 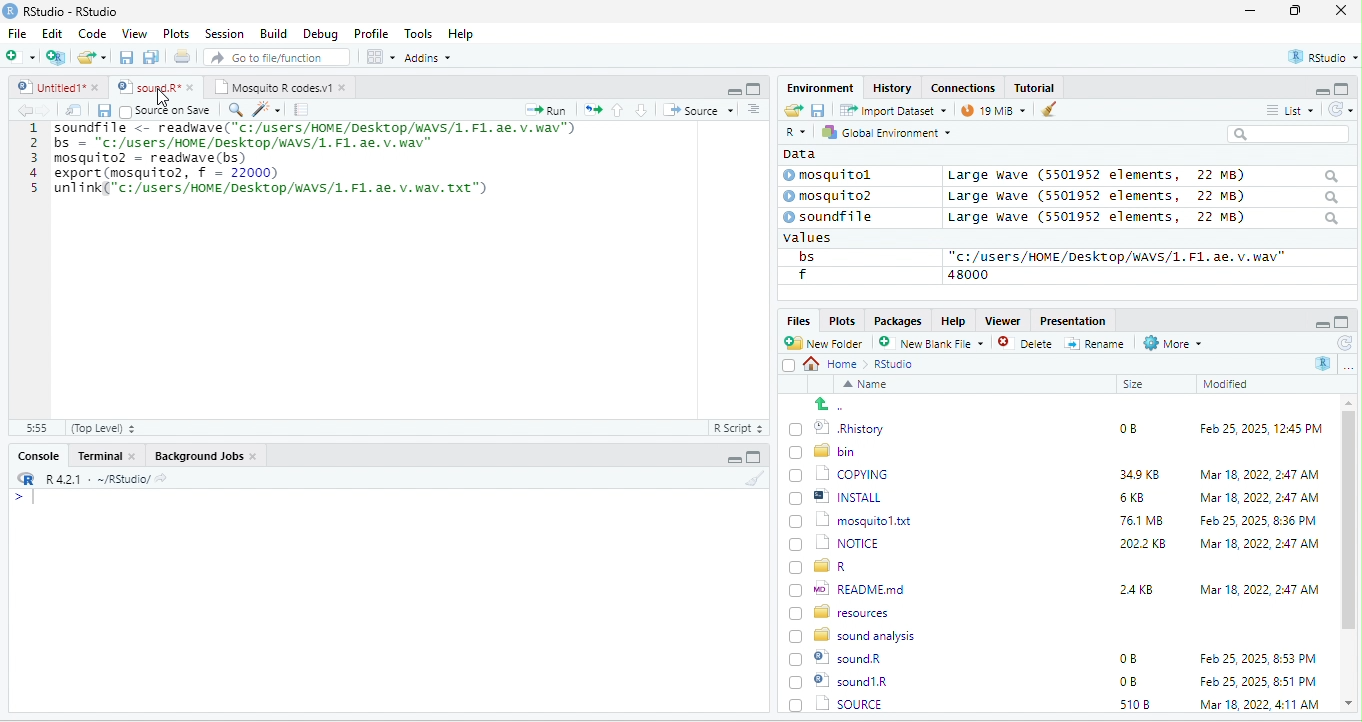 I want to click on Help, so click(x=953, y=319).